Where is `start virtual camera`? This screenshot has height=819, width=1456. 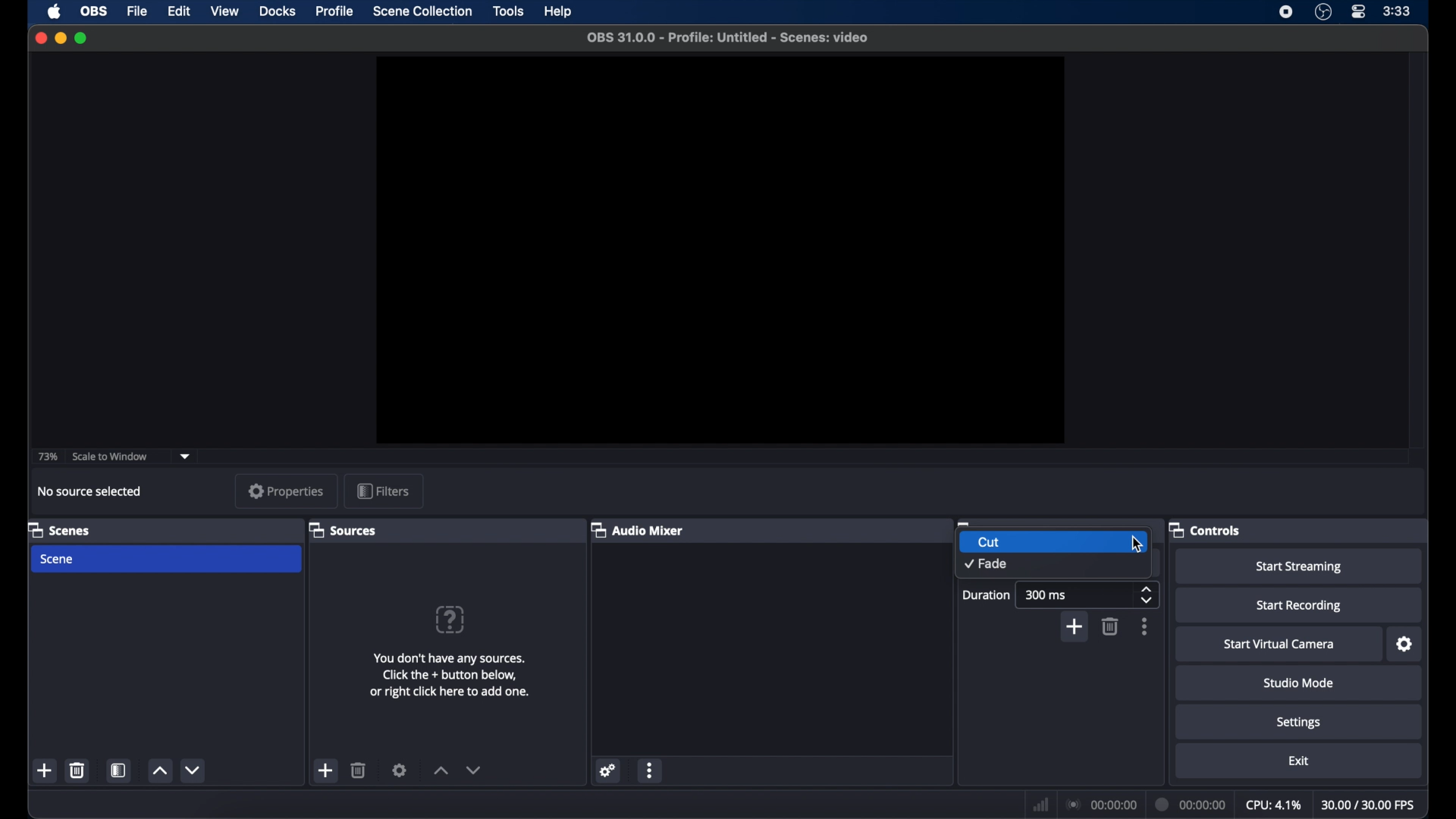
start virtual camera is located at coordinates (1282, 645).